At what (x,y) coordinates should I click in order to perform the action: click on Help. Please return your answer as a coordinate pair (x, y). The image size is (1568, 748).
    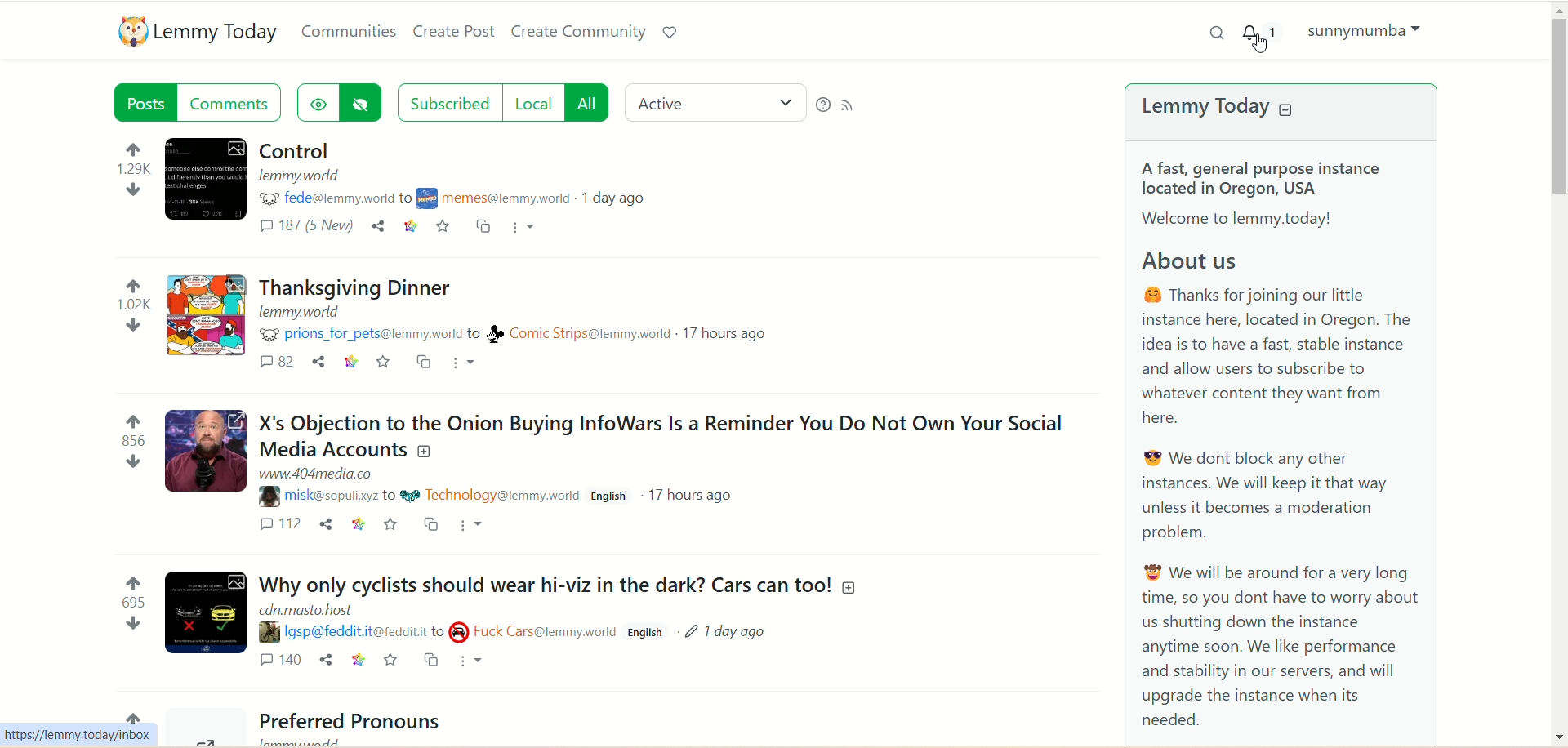
    Looking at the image, I should click on (824, 103).